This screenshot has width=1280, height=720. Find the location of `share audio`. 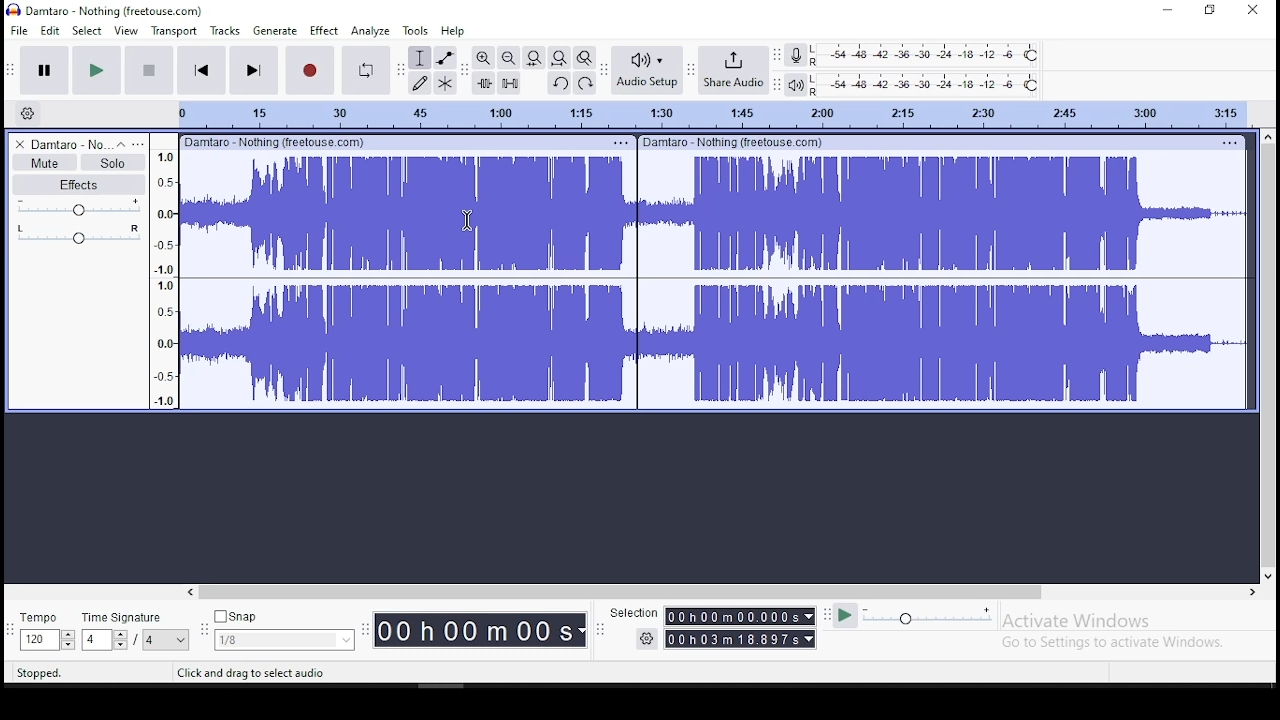

share audio is located at coordinates (732, 72).